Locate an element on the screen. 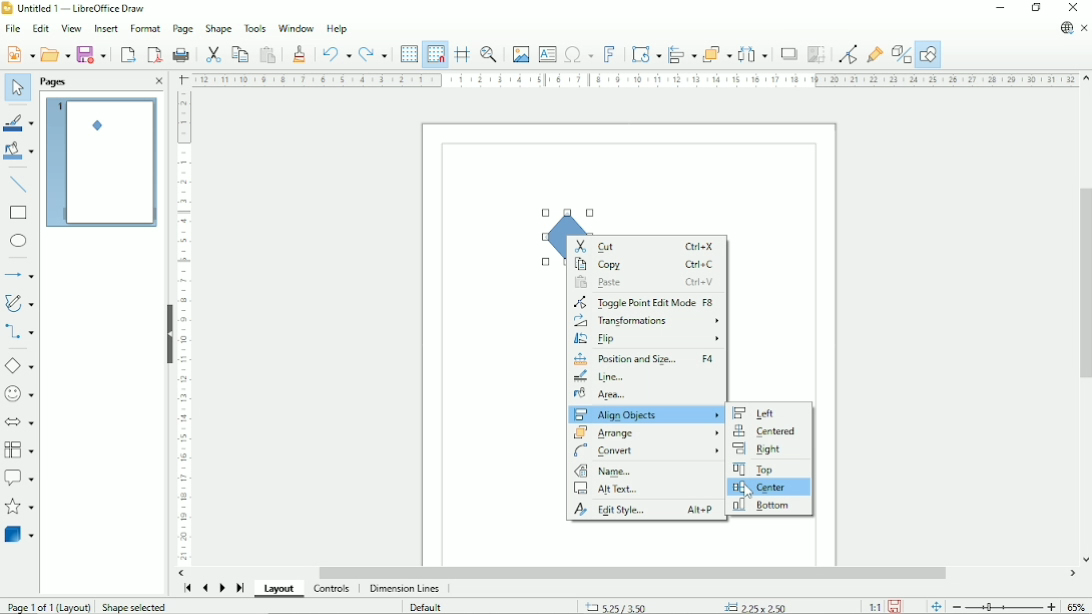  Redo is located at coordinates (375, 53).